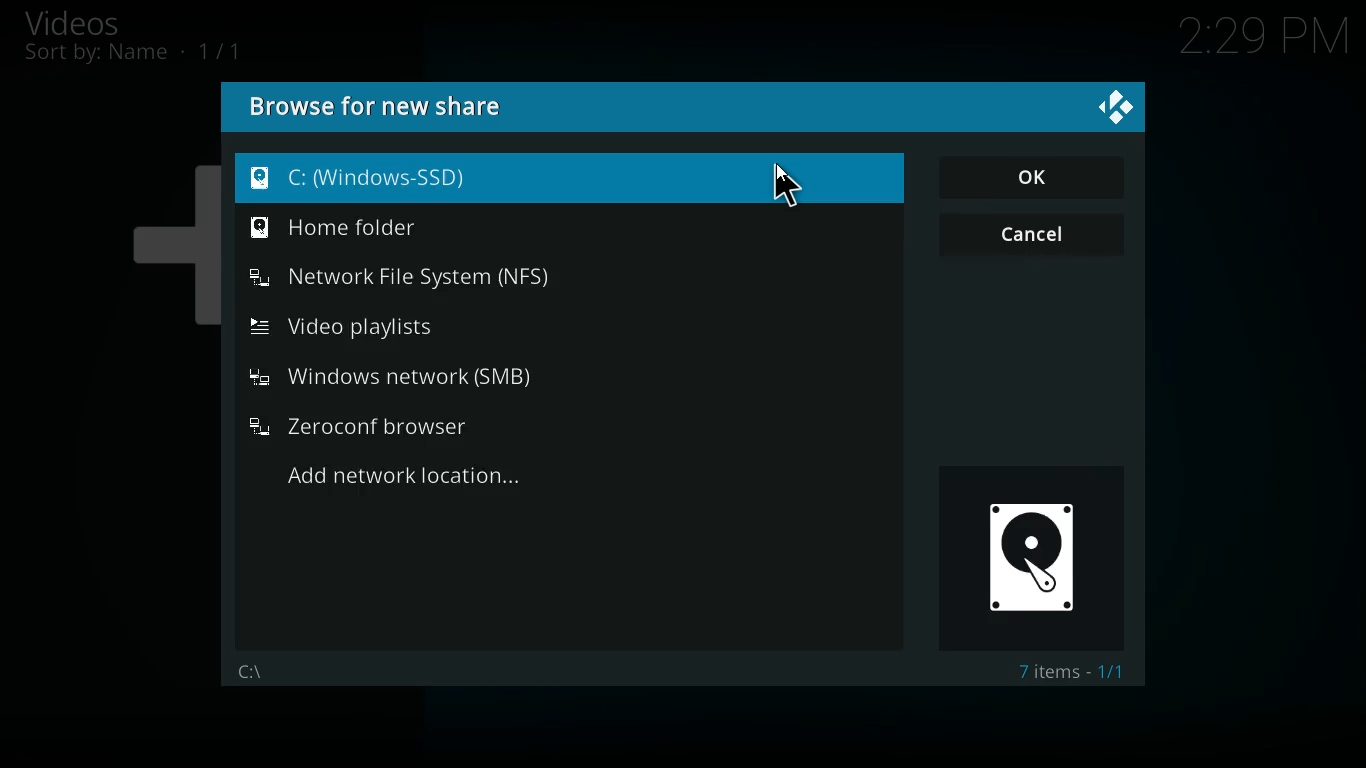 The width and height of the screenshot is (1366, 768). What do you see at coordinates (1119, 109) in the screenshot?
I see `kodi logo` at bounding box center [1119, 109].